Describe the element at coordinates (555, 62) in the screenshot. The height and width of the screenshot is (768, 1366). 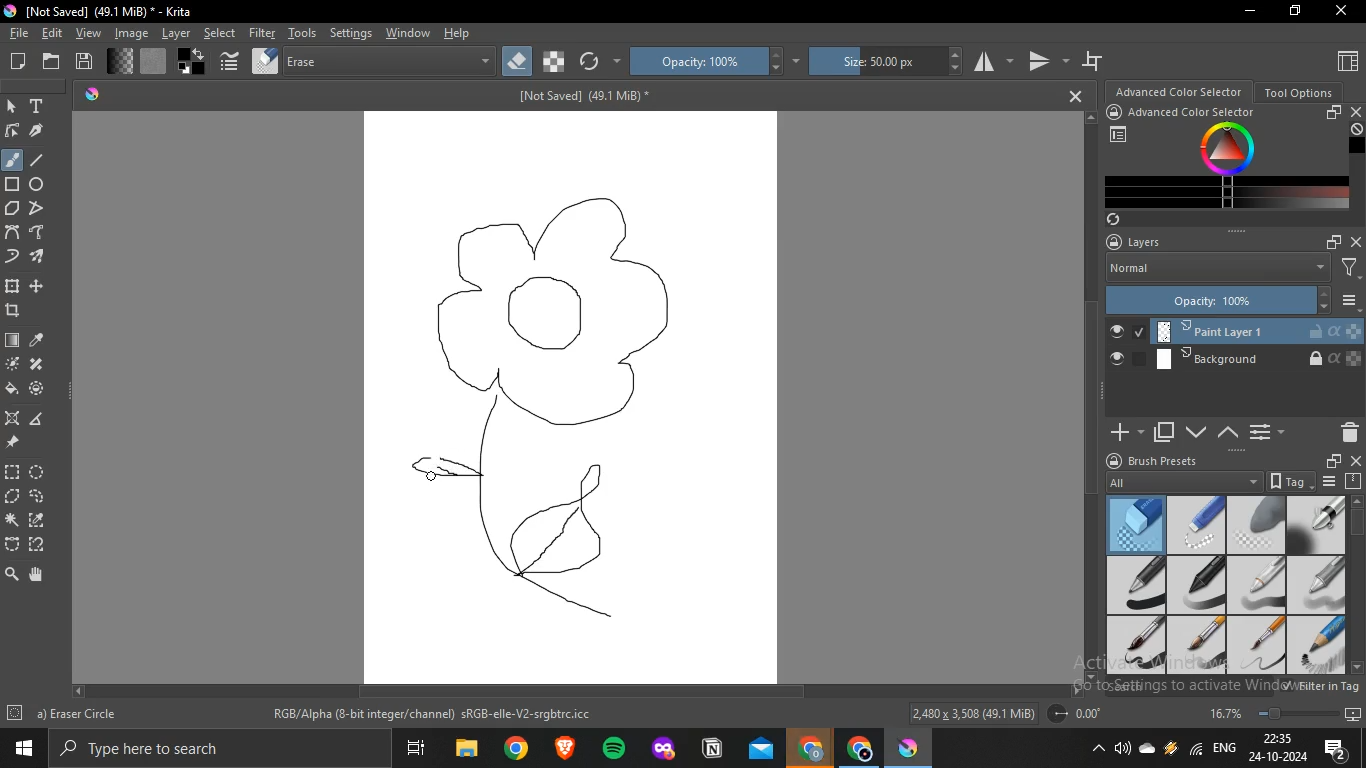
I see `preserve alpha` at that location.